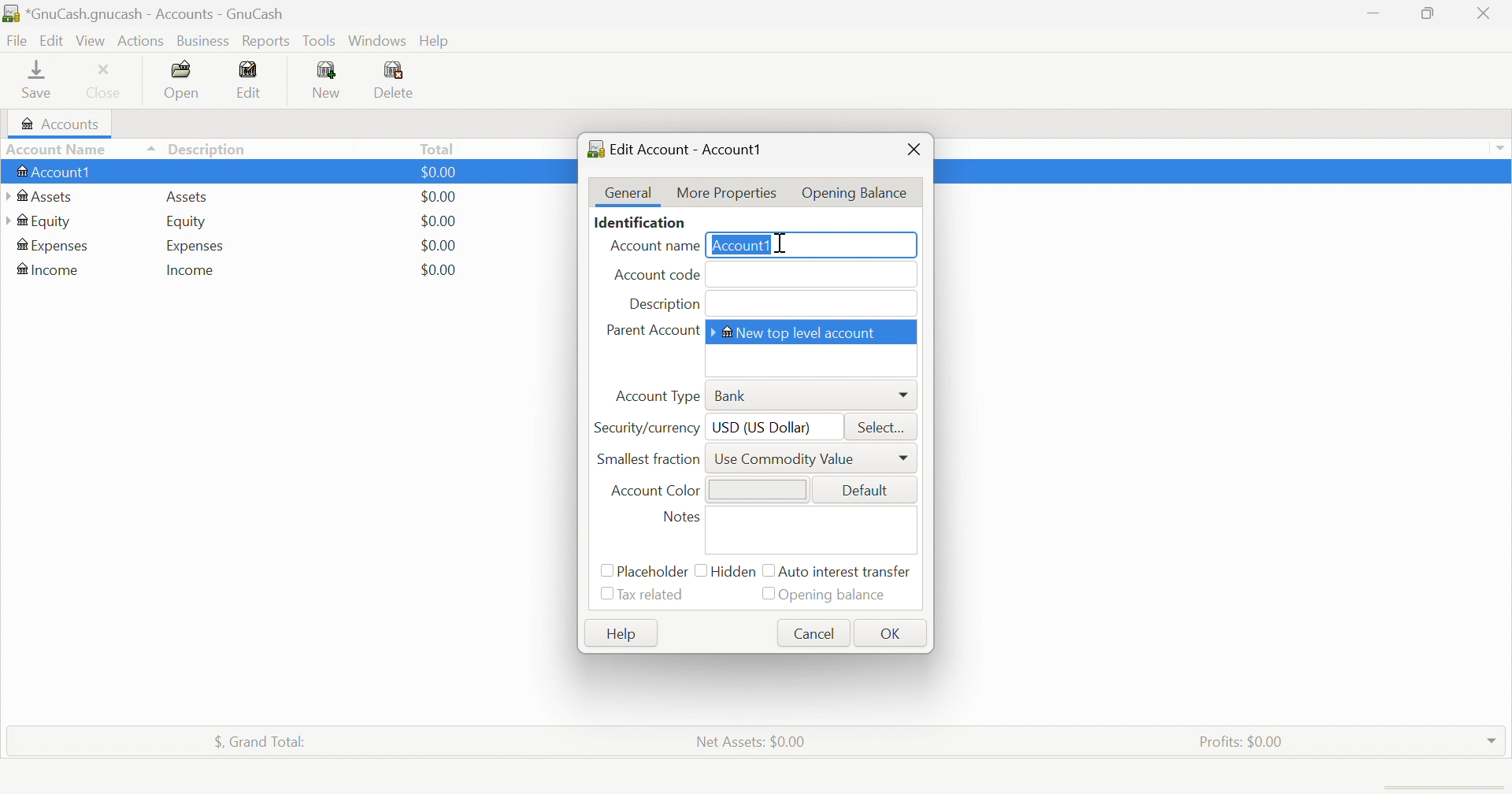 This screenshot has height=794, width=1512. What do you see at coordinates (439, 197) in the screenshot?
I see `$0.00` at bounding box center [439, 197].